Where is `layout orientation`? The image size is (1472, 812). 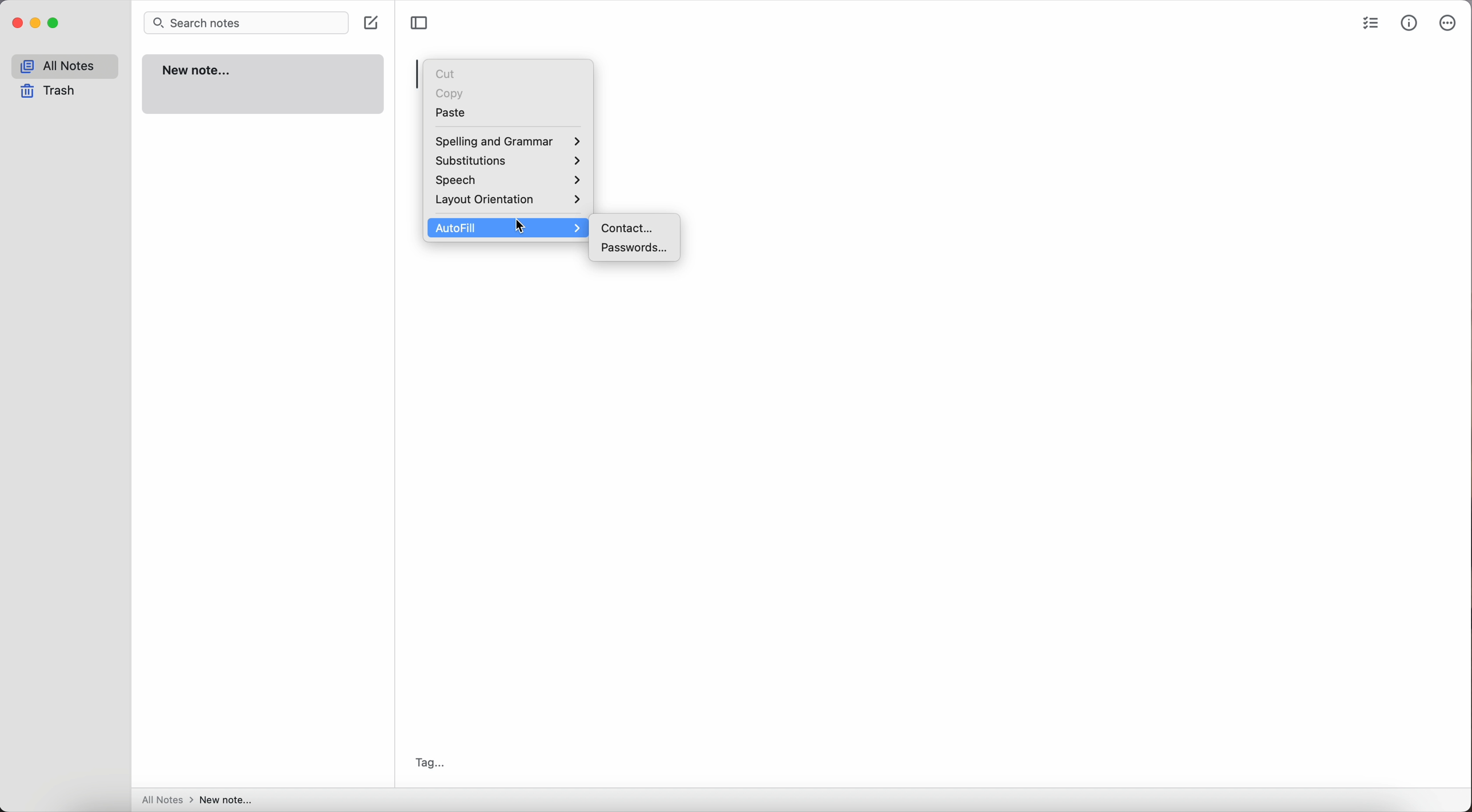
layout orientation is located at coordinates (507, 202).